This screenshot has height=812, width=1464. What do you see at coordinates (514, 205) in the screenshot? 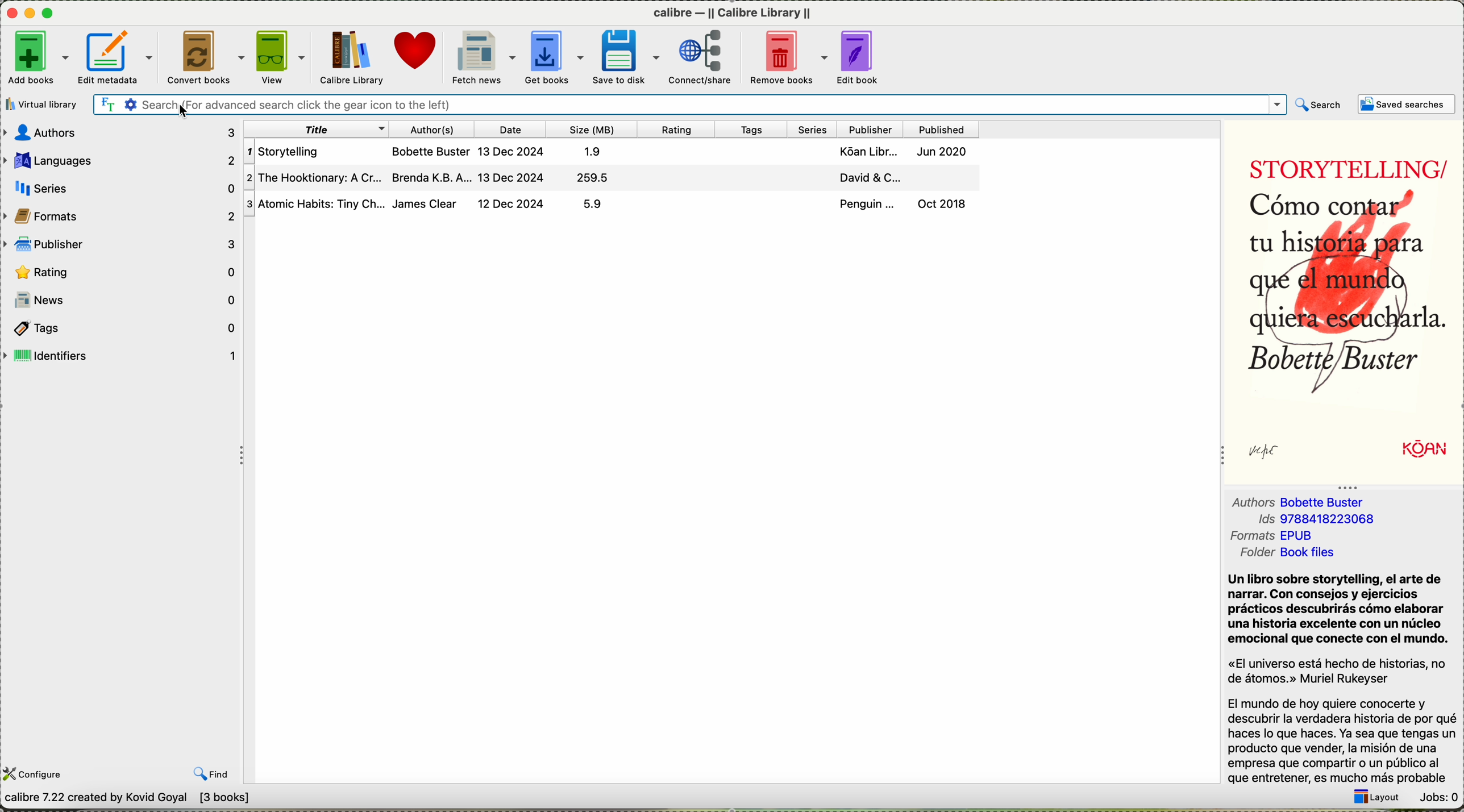
I see `12 Dec 2024` at bounding box center [514, 205].